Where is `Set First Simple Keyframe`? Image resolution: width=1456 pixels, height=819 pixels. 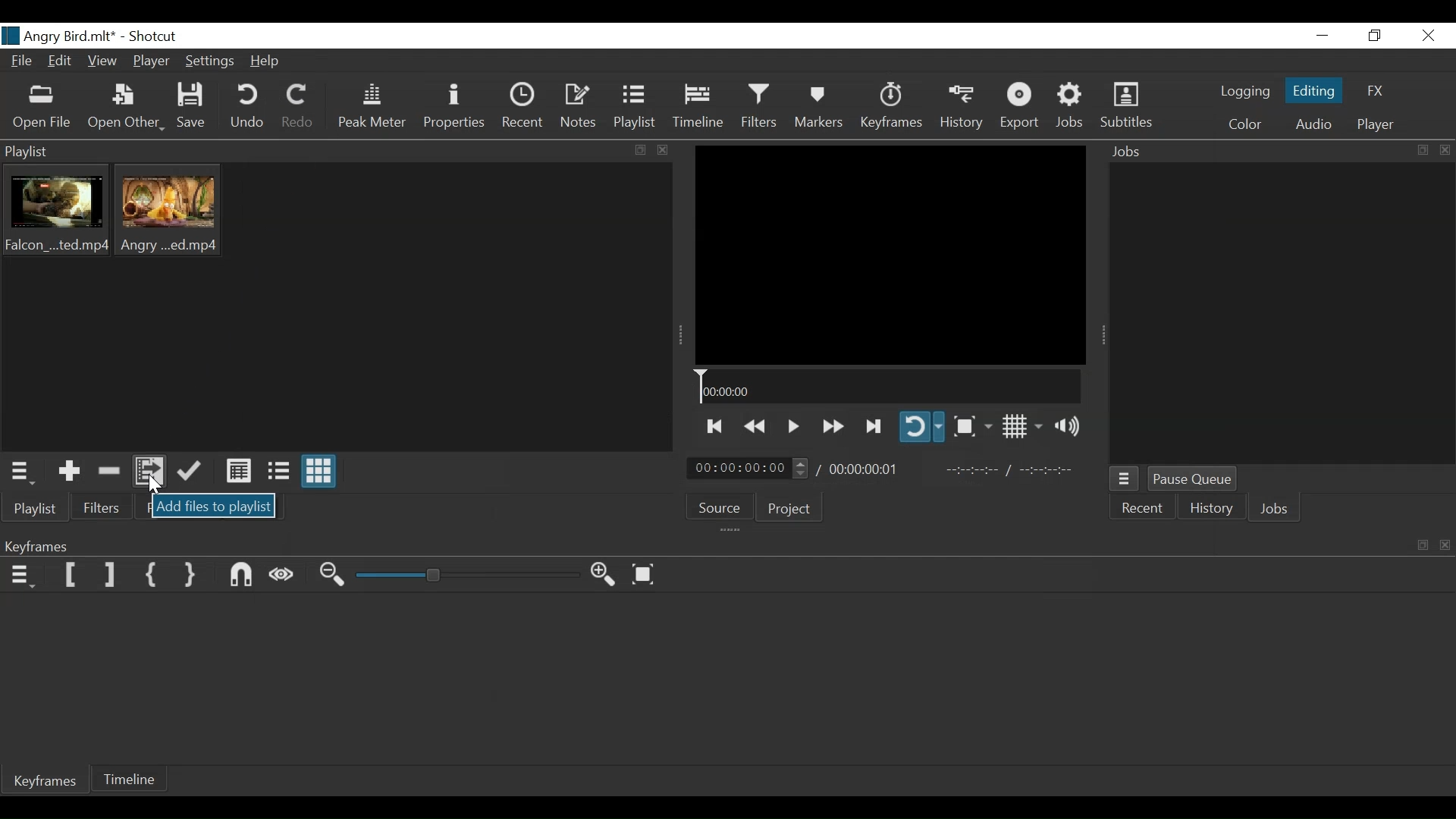
Set First Simple Keyframe is located at coordinates (151, 573).